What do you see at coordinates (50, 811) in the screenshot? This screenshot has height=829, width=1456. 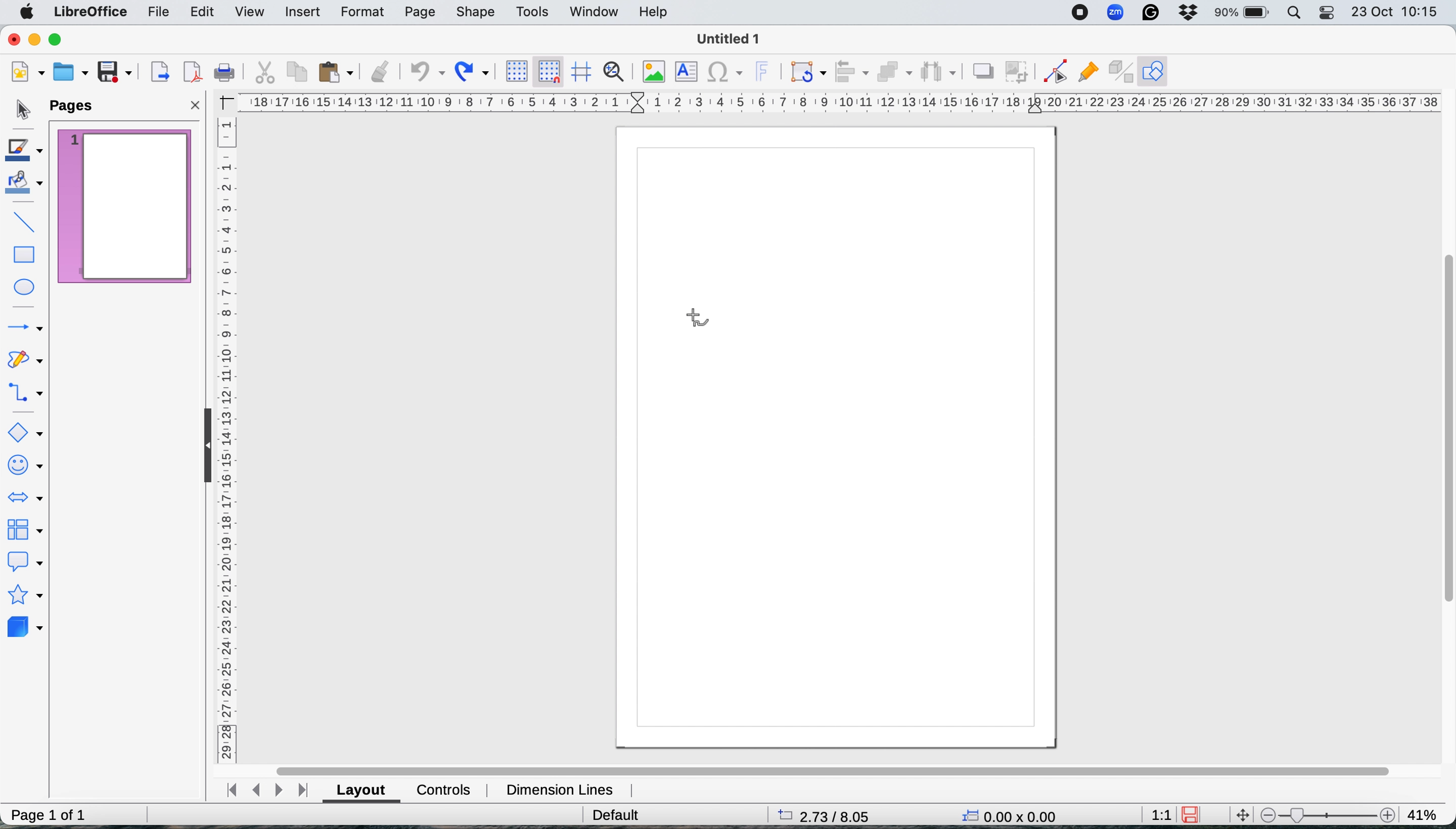 I see `page 1 of 1` at bounding box center [50, 811].